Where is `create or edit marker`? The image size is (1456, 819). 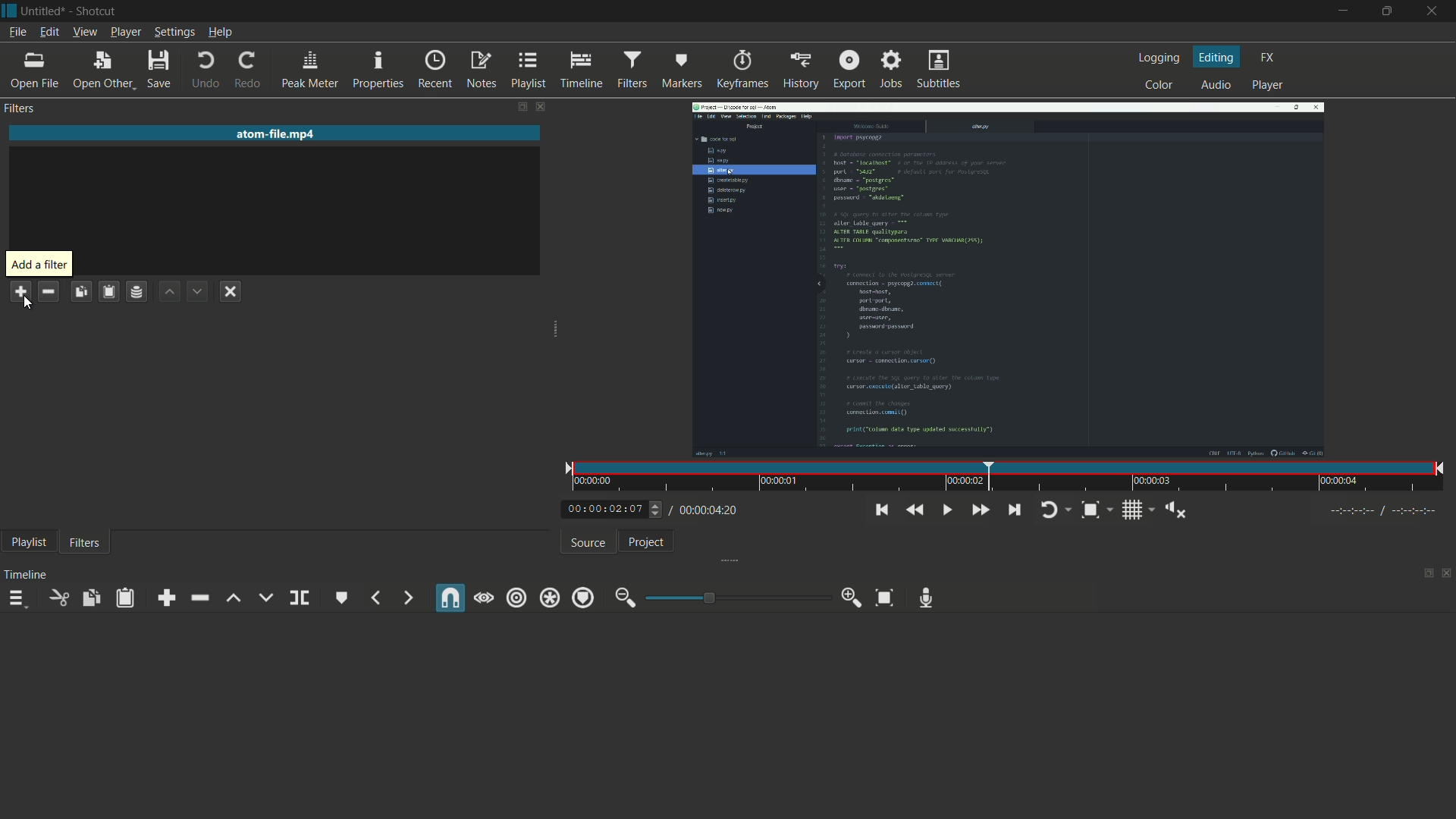 create or edit marker is located at coordinates (343, 598).